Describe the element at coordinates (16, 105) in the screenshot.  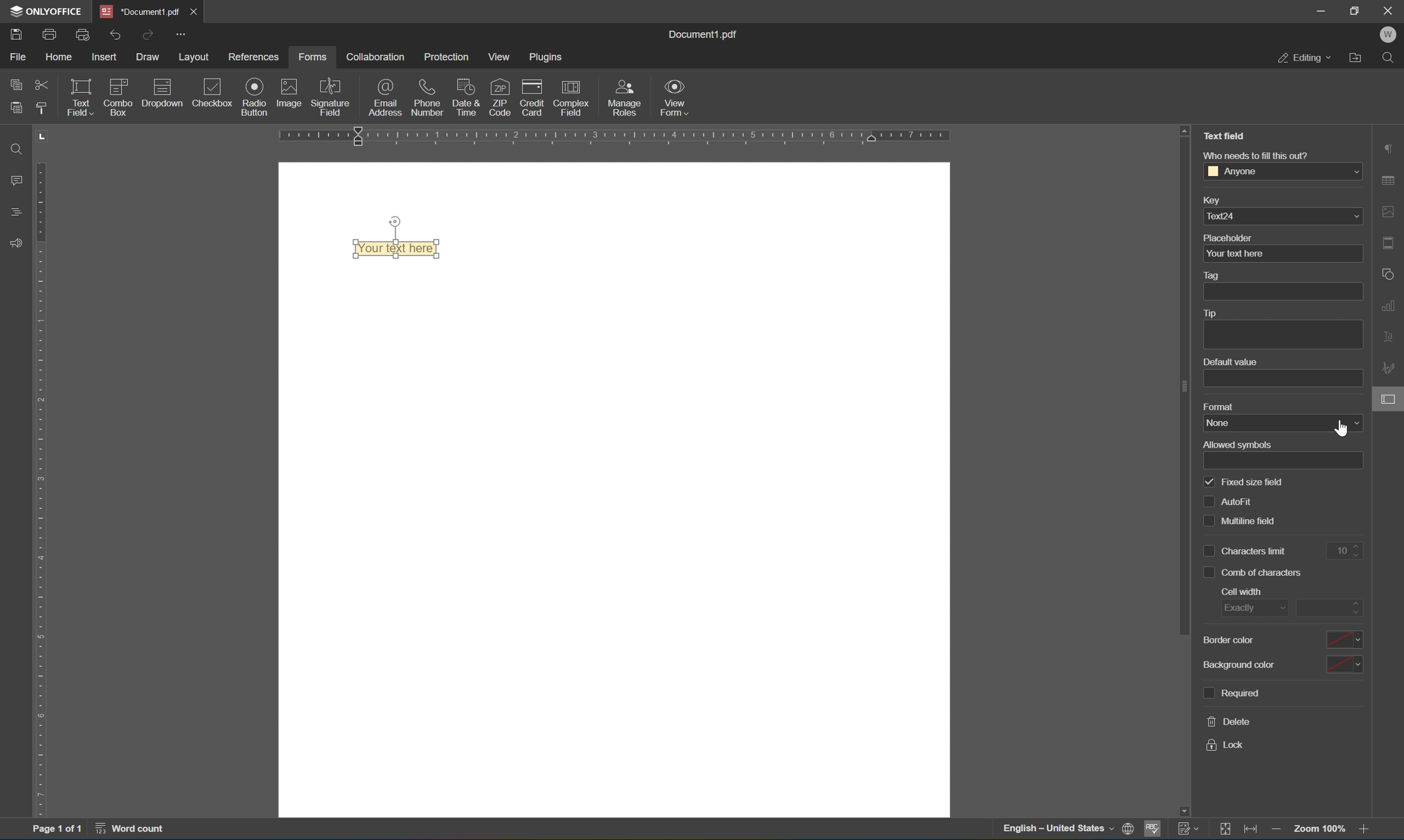
I see `paste` at that location.